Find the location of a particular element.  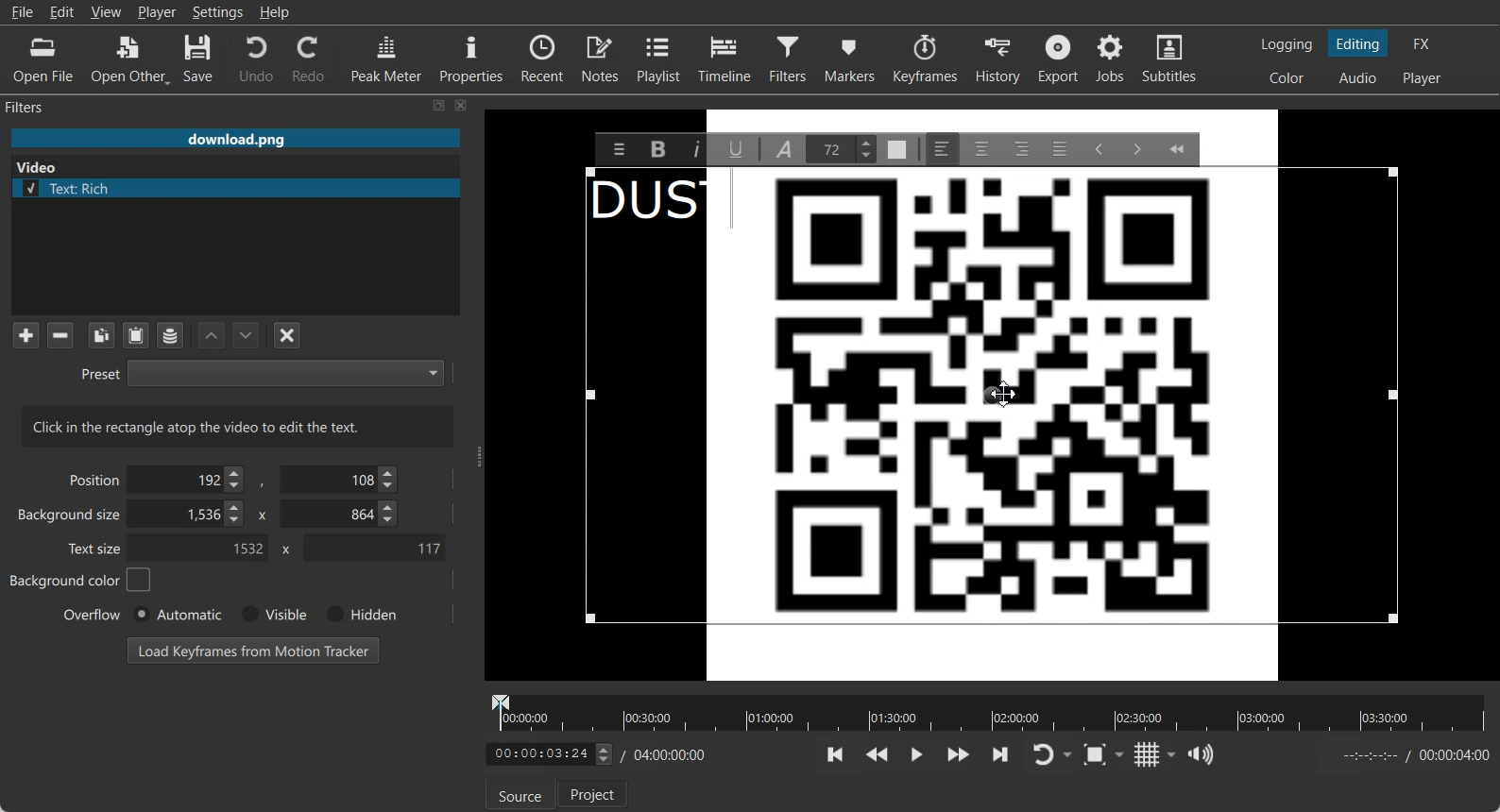

Move Filter up is located at coordinates (212, 336).